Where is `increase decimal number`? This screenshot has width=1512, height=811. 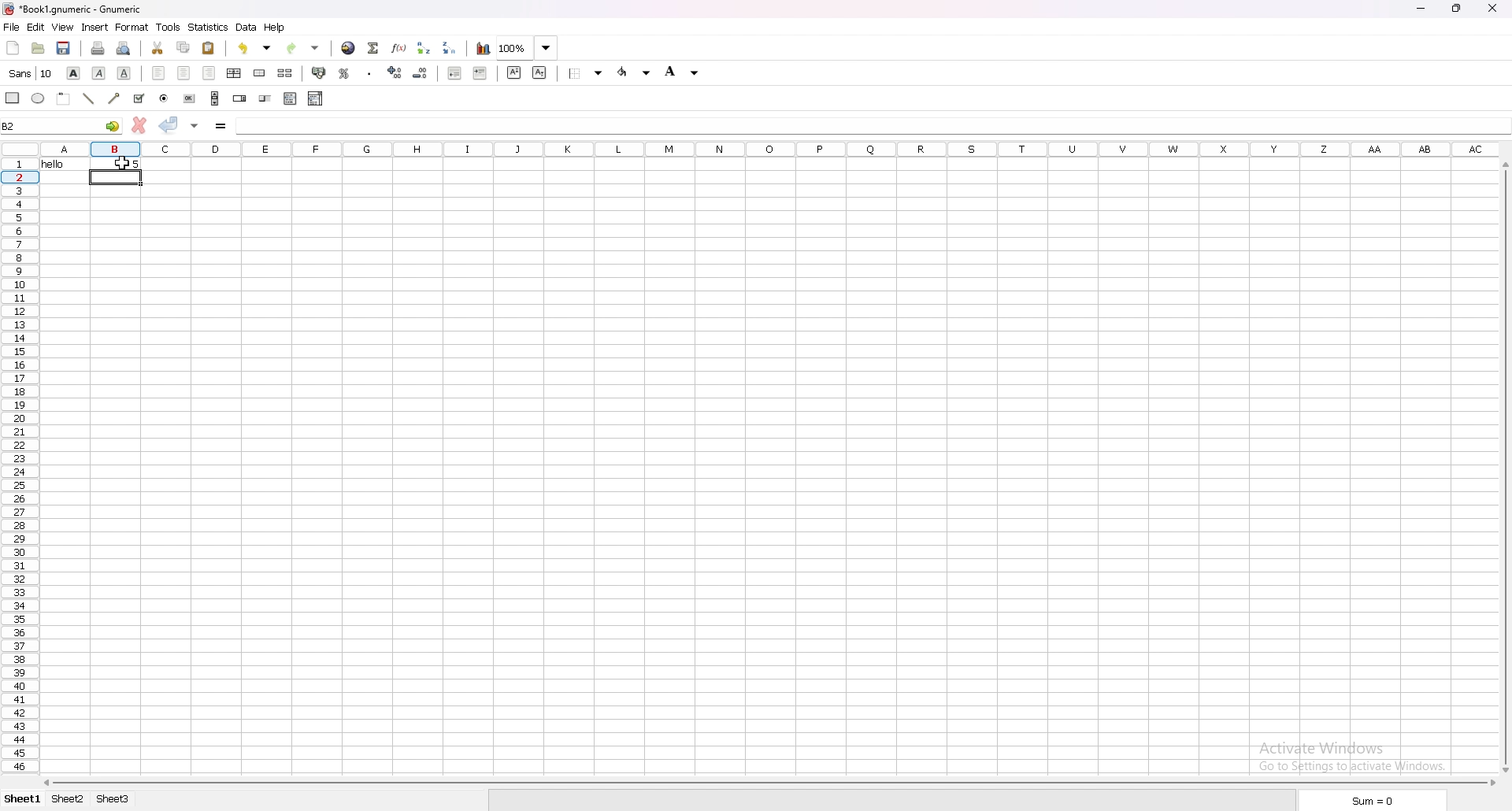
increase decimal number is located at coordinates (395, 72).